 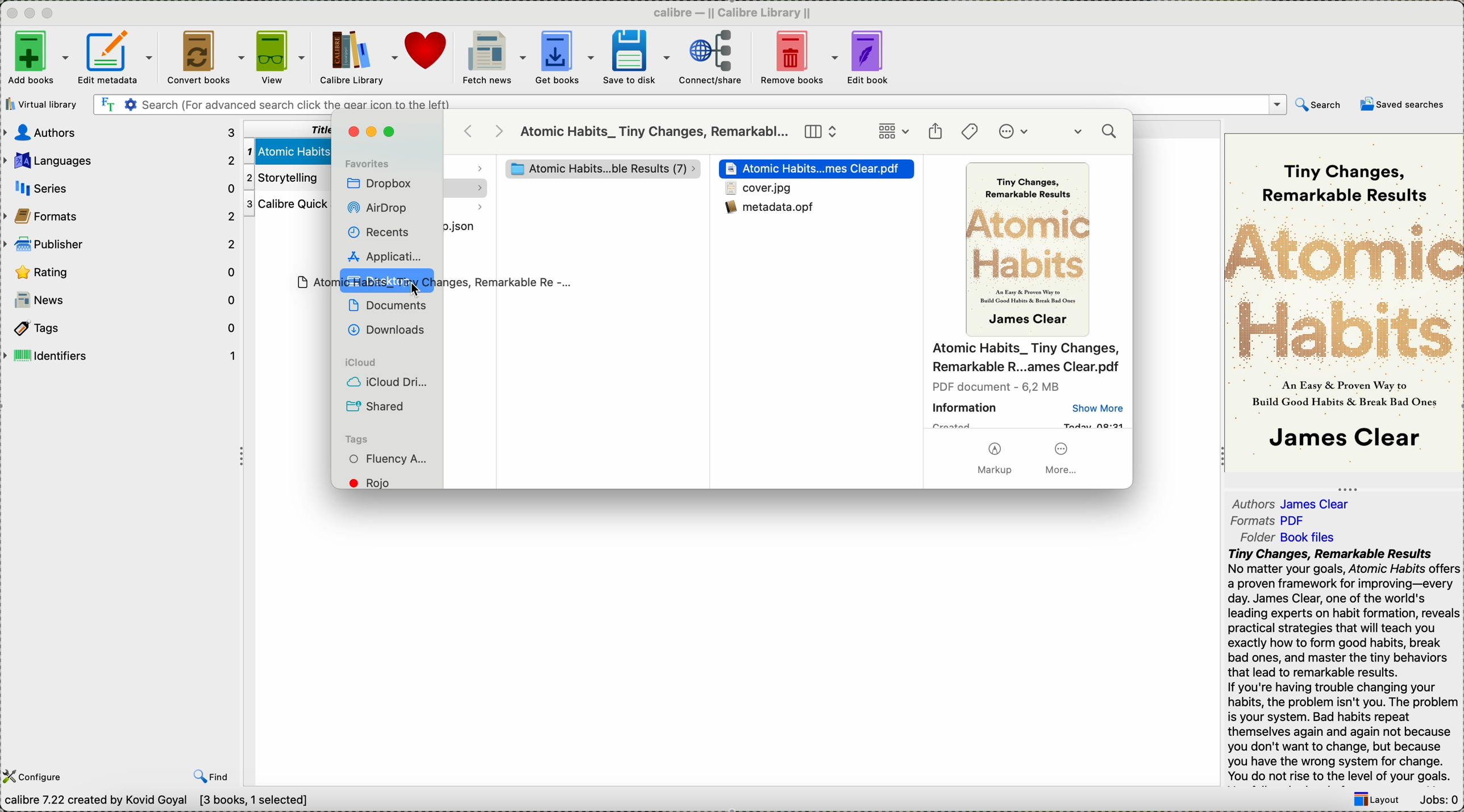 I want to click on cursor, so click(x=419, y=289).